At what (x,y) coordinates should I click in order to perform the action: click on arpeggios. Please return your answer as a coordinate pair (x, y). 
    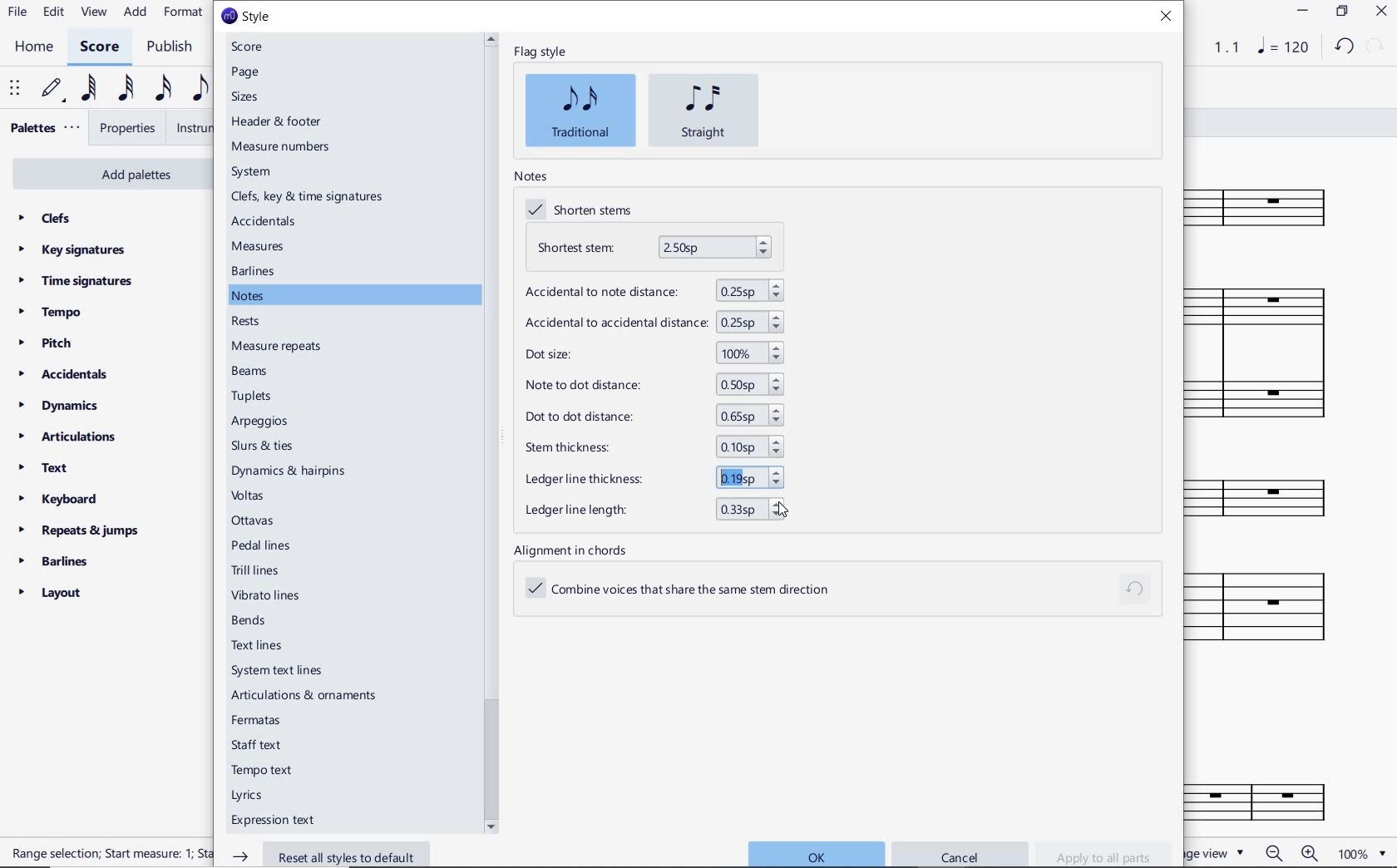
    Looking at the image, I should click on (289, 422).